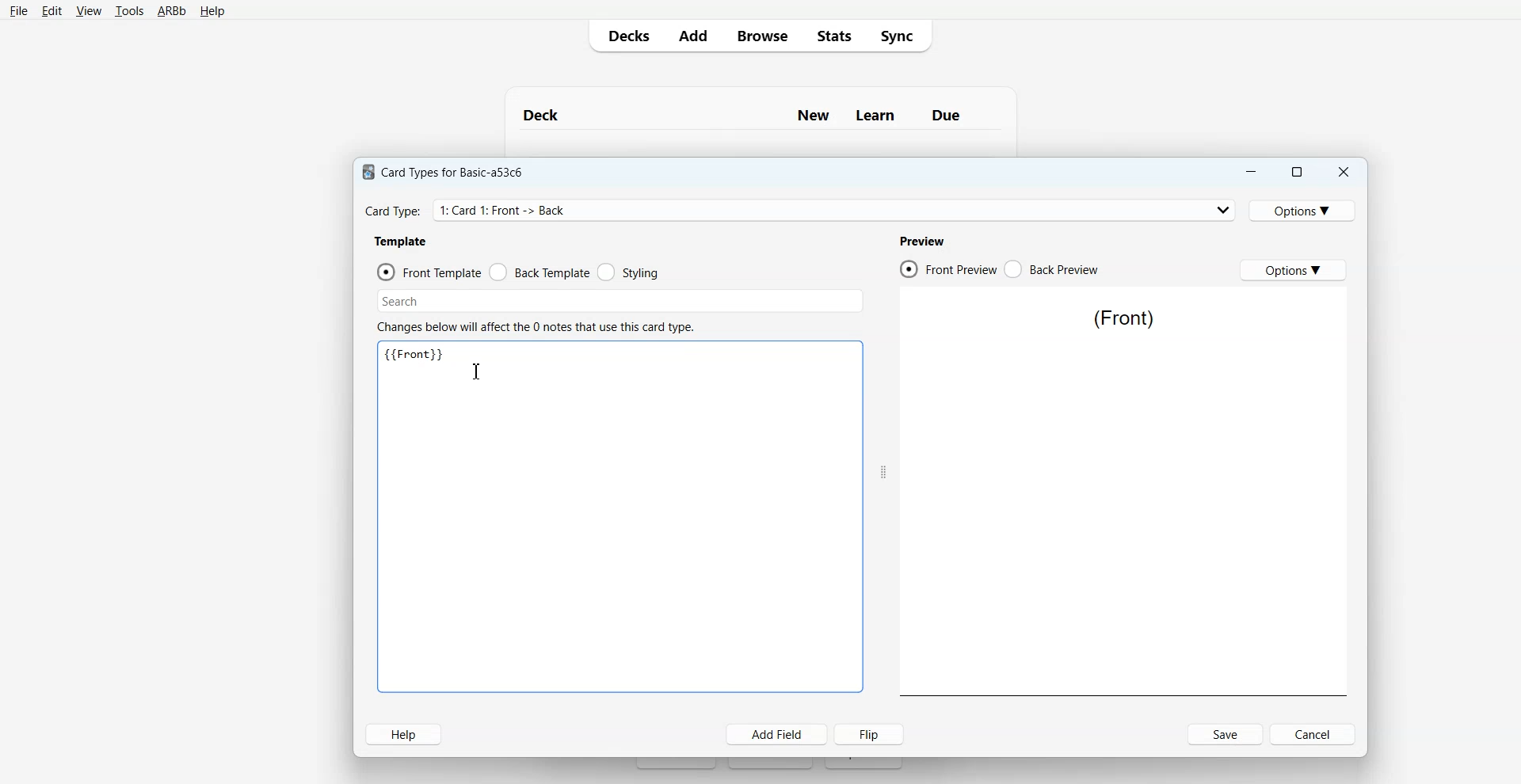 This screenshot has width=1521, height=784. I want to click on Minimize, so click(1249, 172).